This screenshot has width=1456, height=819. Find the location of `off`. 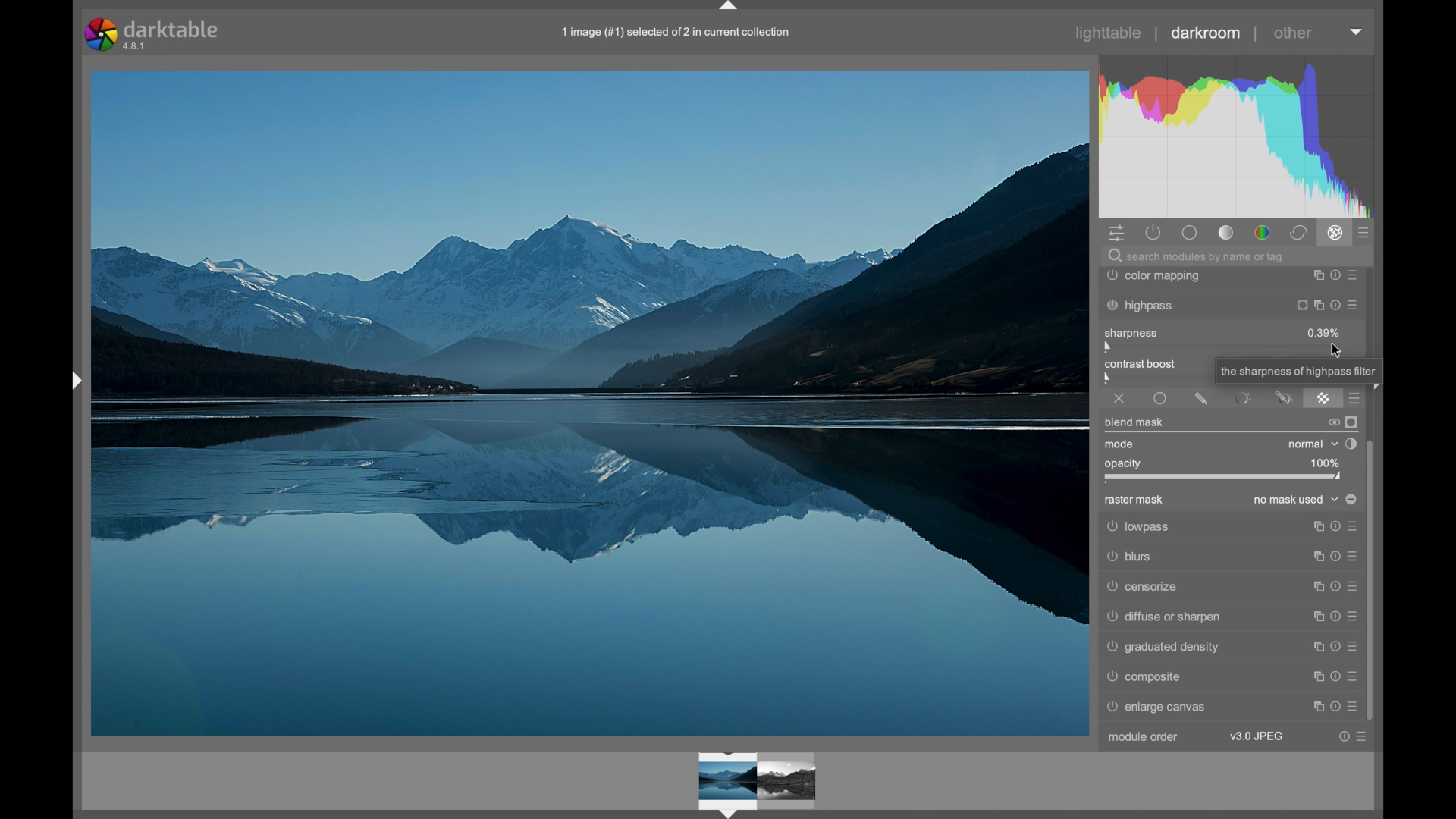

off is located at coordinates (1119, 399).